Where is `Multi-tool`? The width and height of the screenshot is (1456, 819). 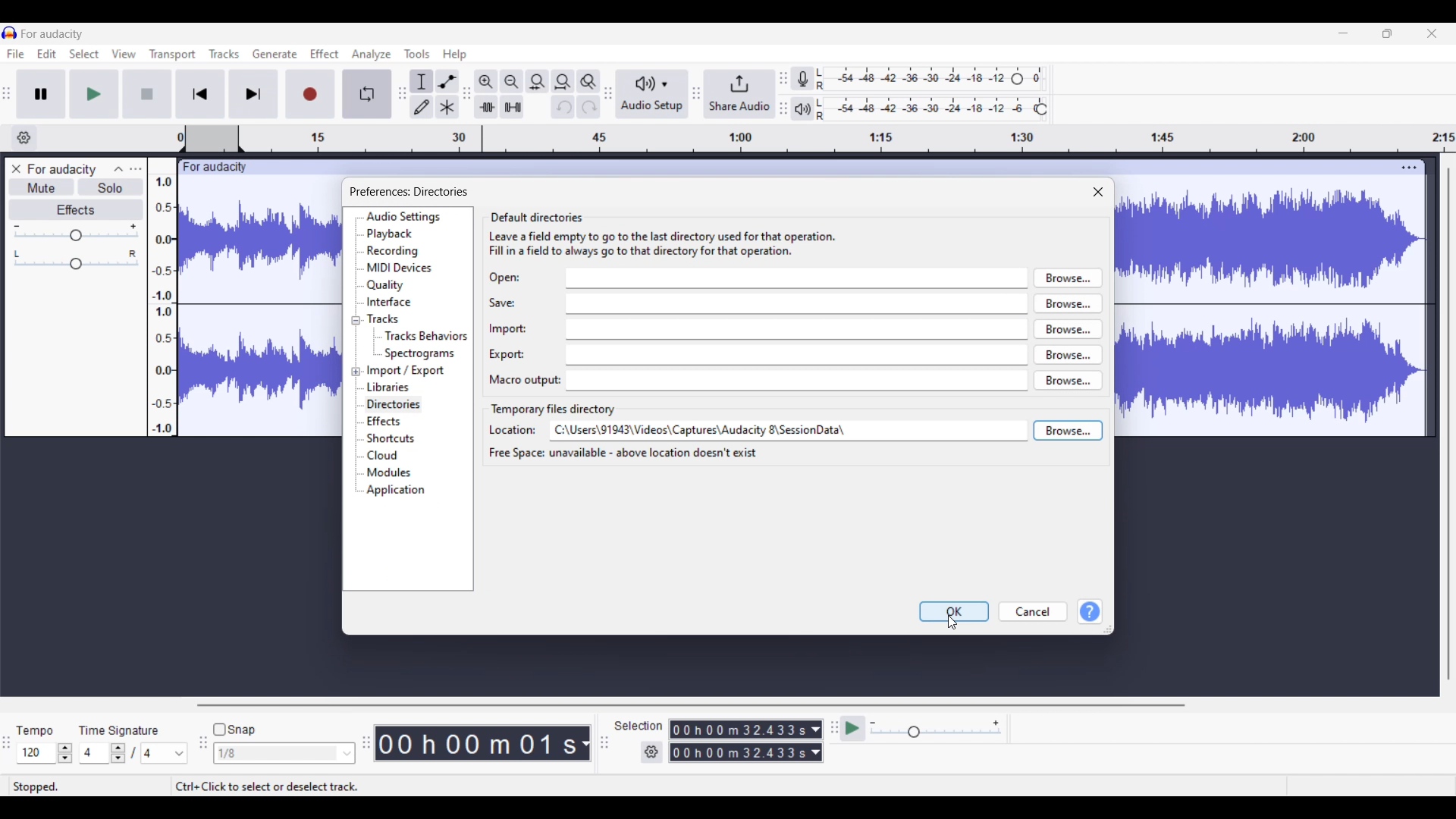 Multi-tool is located at coordinates (447, 106).